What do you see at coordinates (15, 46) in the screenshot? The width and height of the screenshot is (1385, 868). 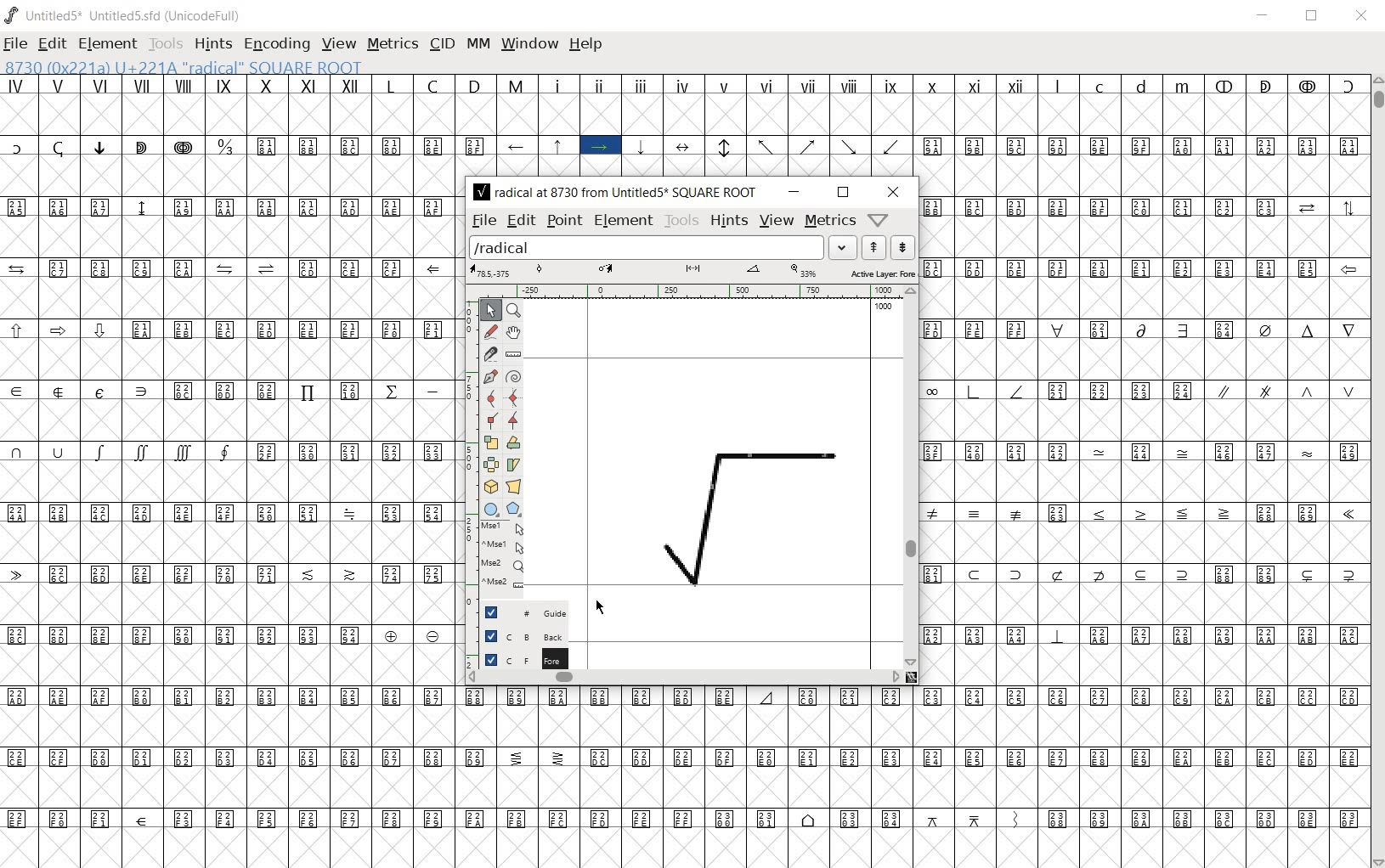 I see `FILE` at bounding box center [15, 46].